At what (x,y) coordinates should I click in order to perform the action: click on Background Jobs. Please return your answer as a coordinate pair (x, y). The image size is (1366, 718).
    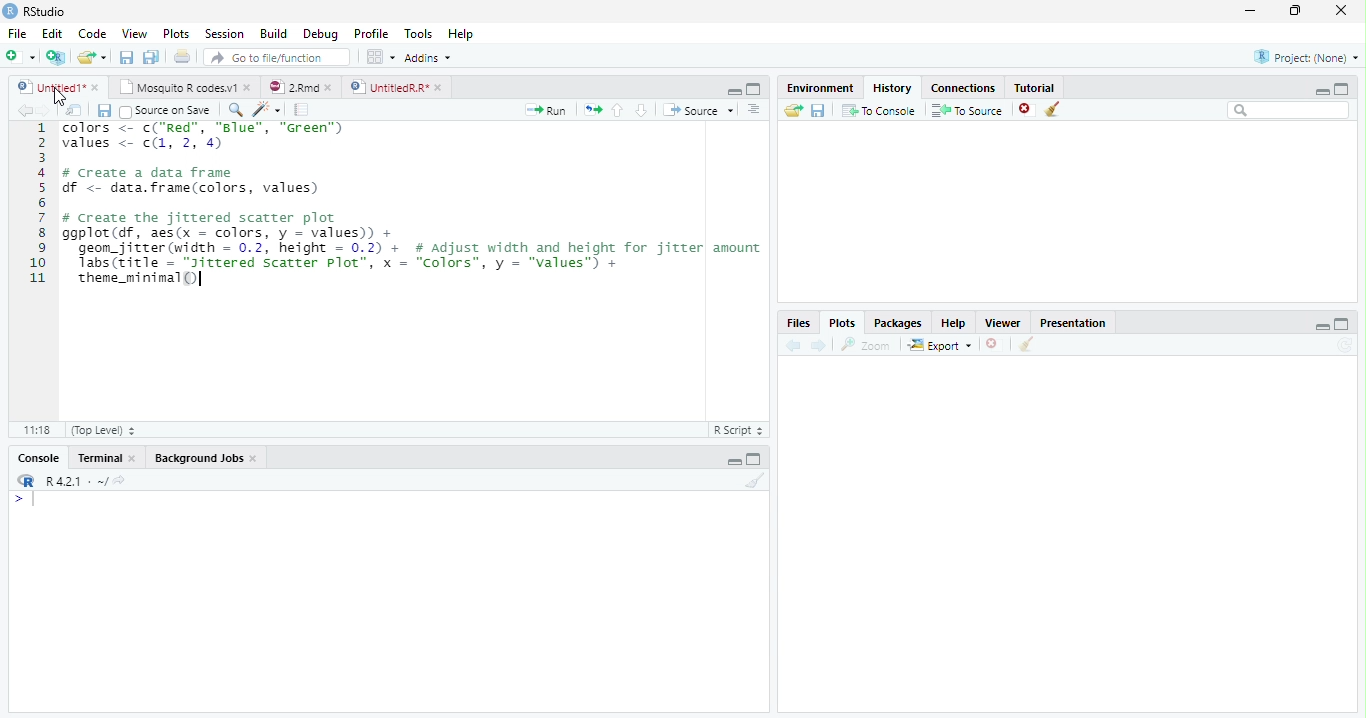
    Looking at the image, I should click on (198, 457).